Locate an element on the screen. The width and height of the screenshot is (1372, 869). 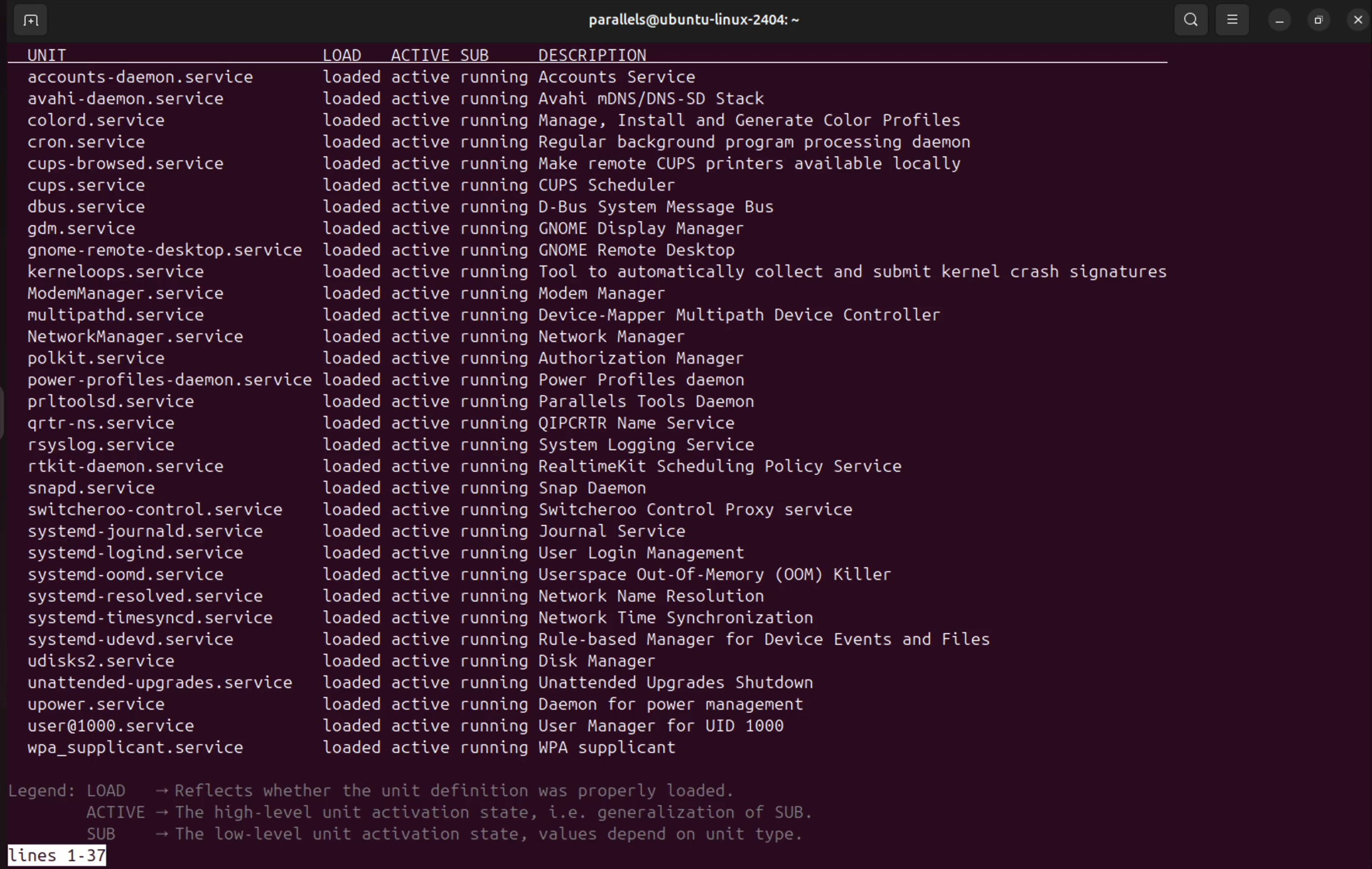
loaded is located at coordinates (352, 295).